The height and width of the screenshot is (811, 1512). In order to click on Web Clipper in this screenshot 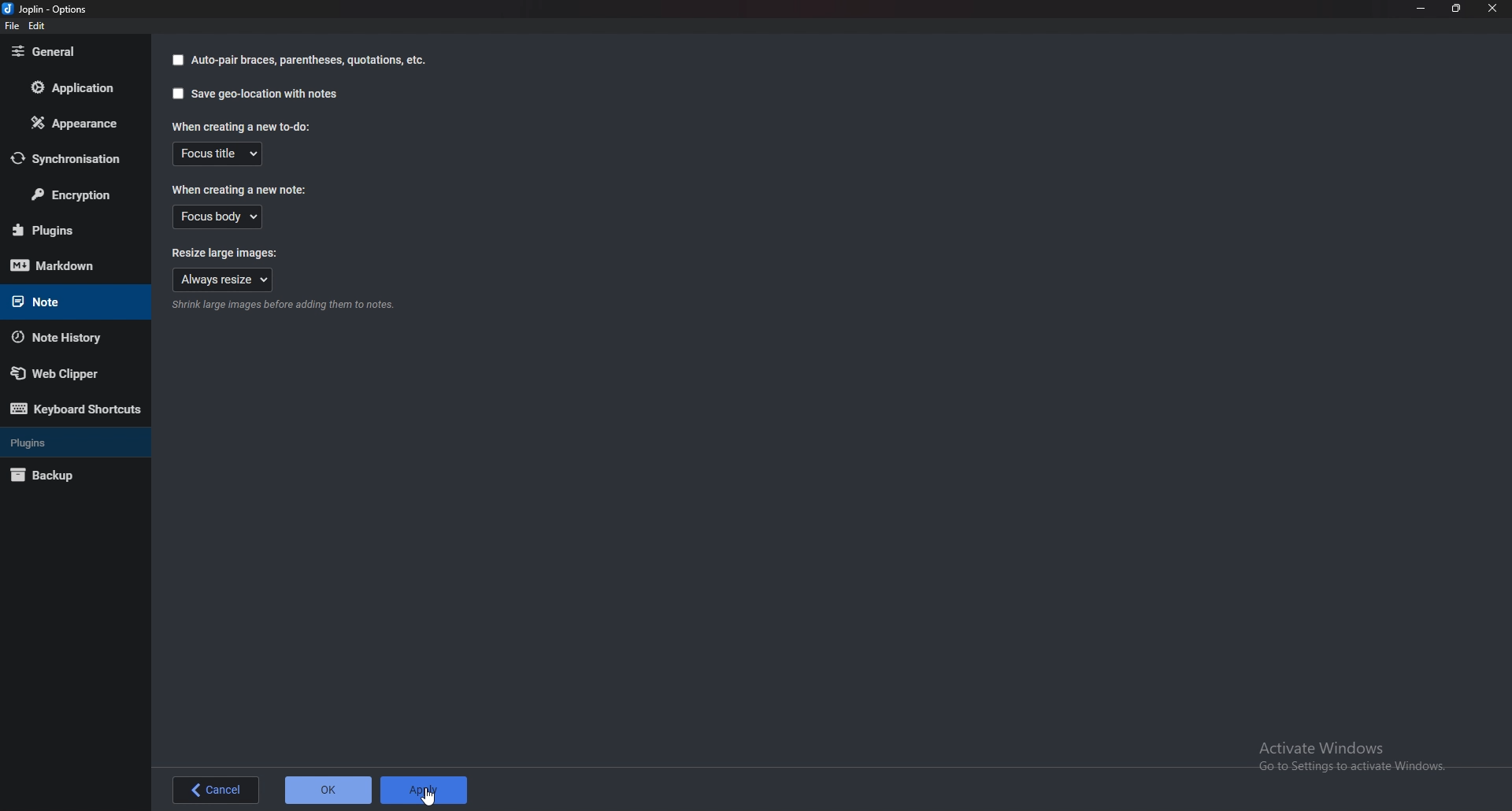, I will do `click(66, 372)`.